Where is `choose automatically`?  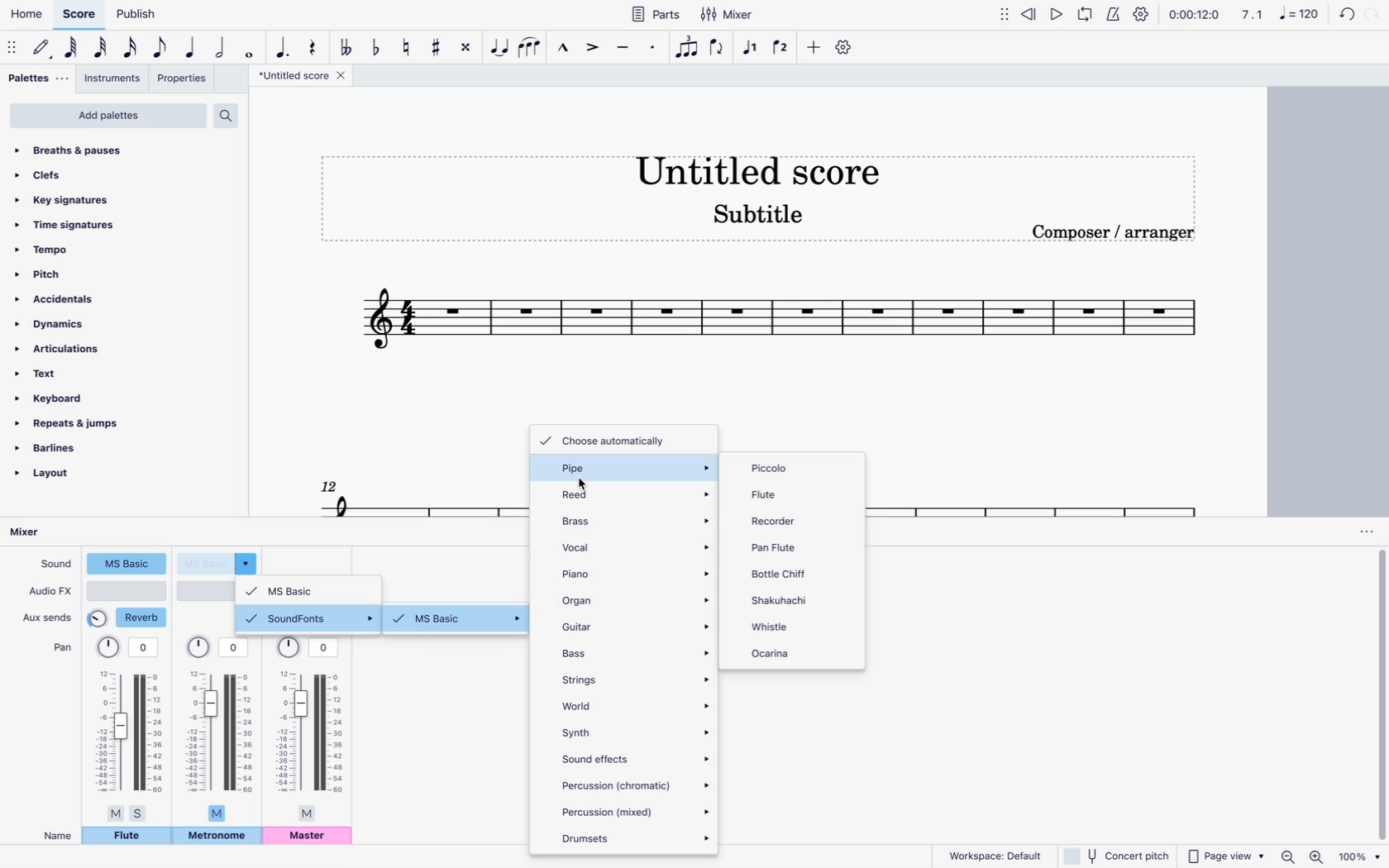 choose automatically is located at coordinates (618, 439).